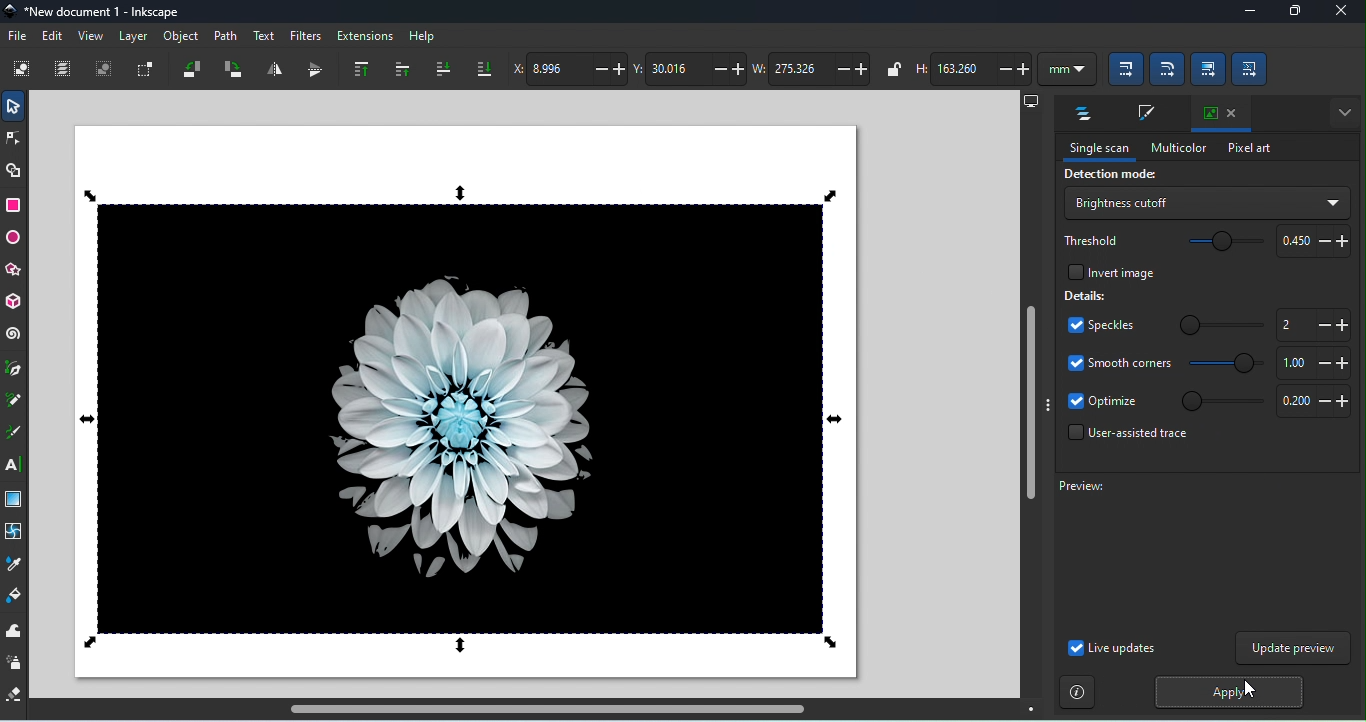 The width and height of the screenshot is (1366, 722). I want to click on Pixel art, so click(1245, 149).